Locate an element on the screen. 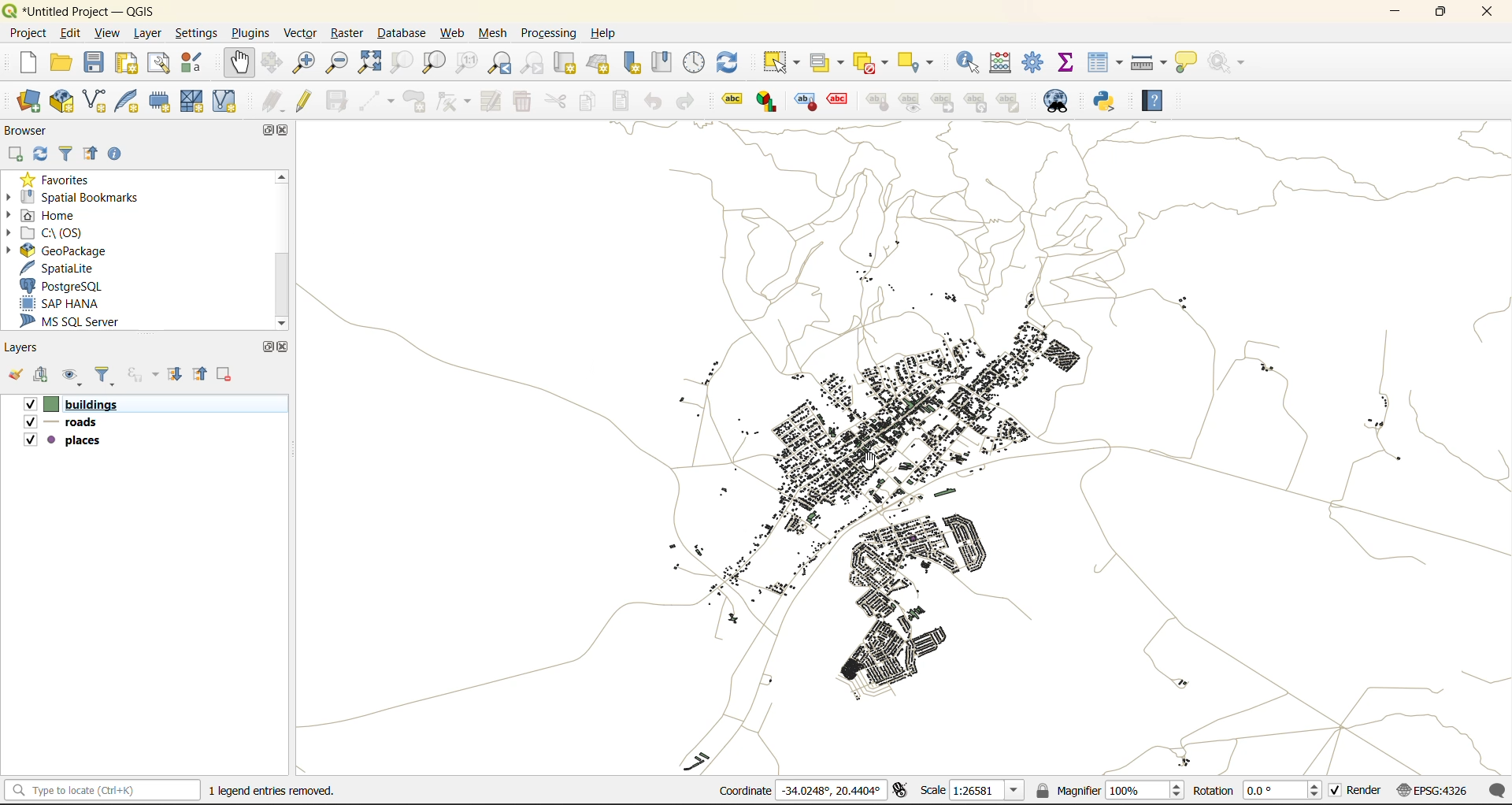 The width and height of the screenshot is (1512, 805). mesh is located at coordinates (496, 33).